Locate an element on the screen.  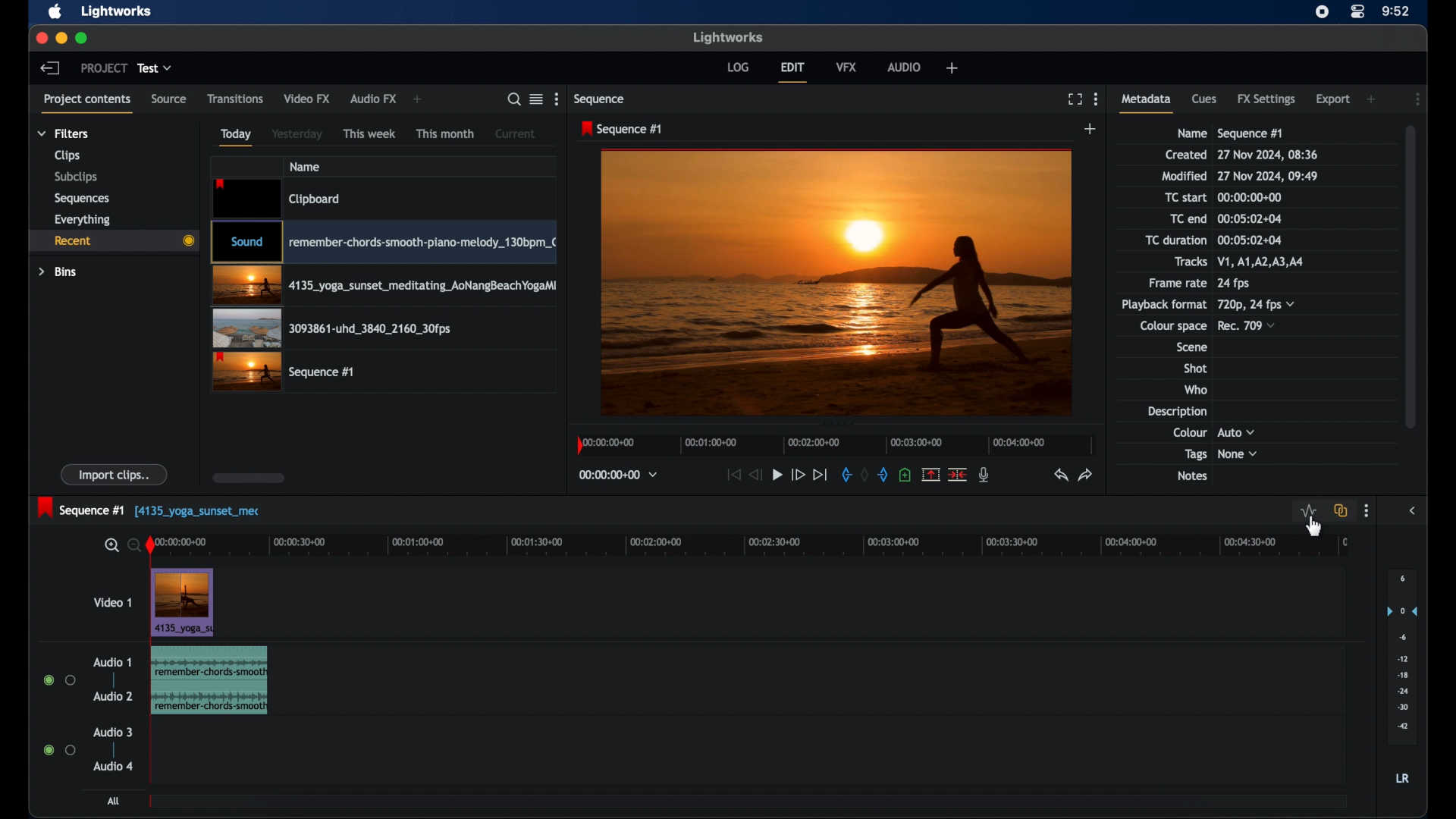
play button is located at coordinates (777, 474).